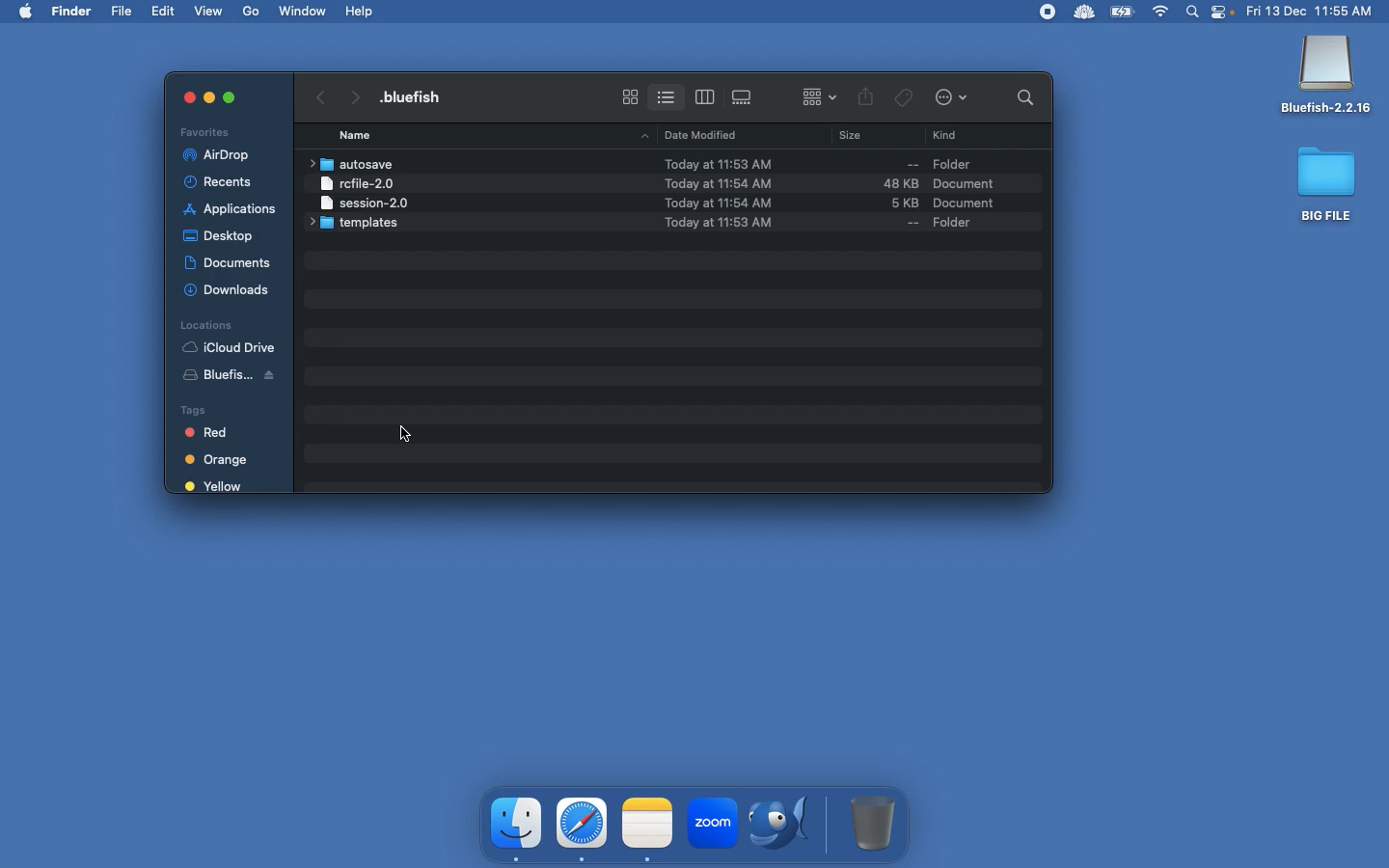 This screenshot has width=1389, height=868. I want to click on Search, so click(1193, 14).